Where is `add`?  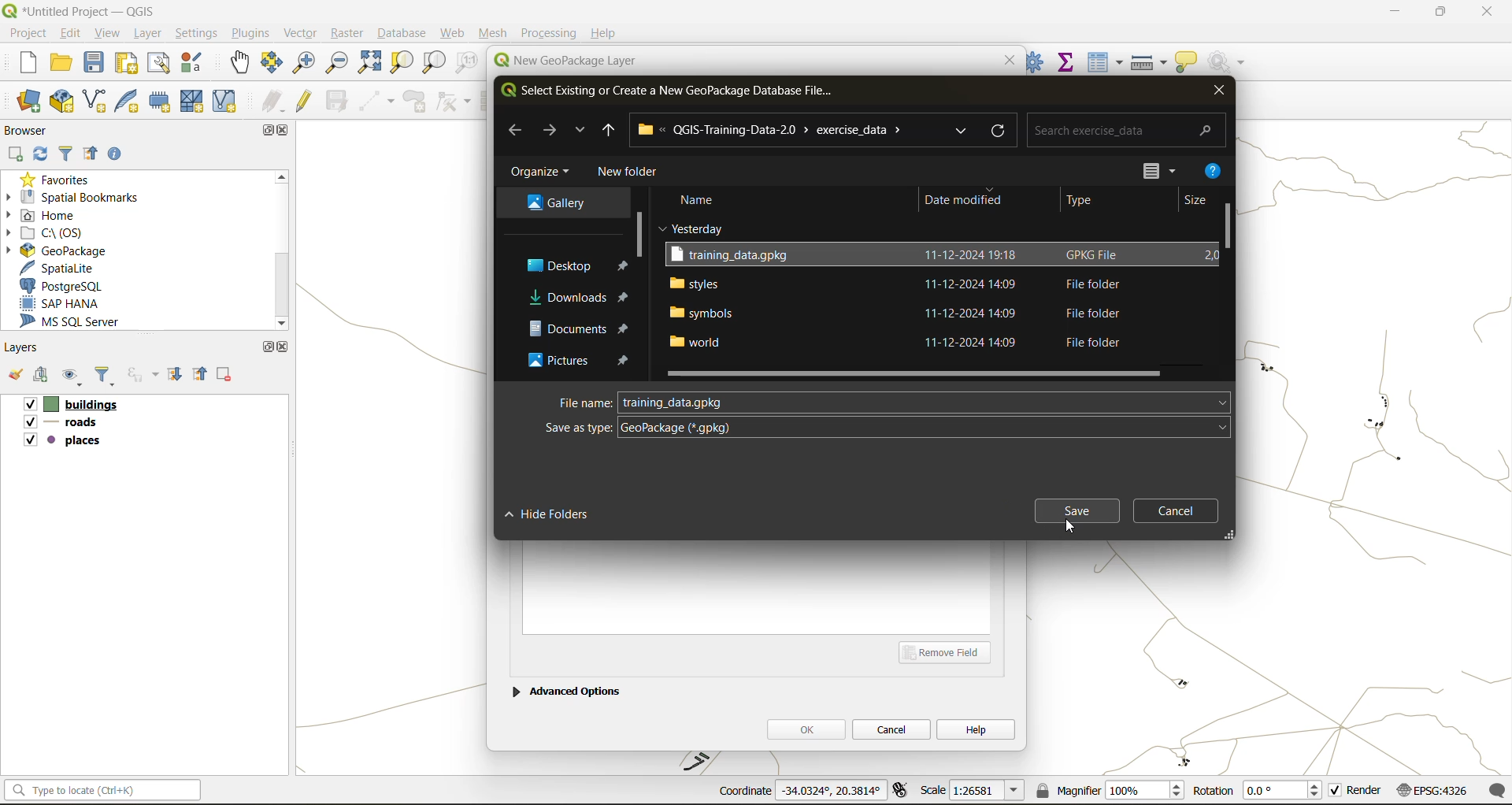 add is located at coordinates (43, 377).